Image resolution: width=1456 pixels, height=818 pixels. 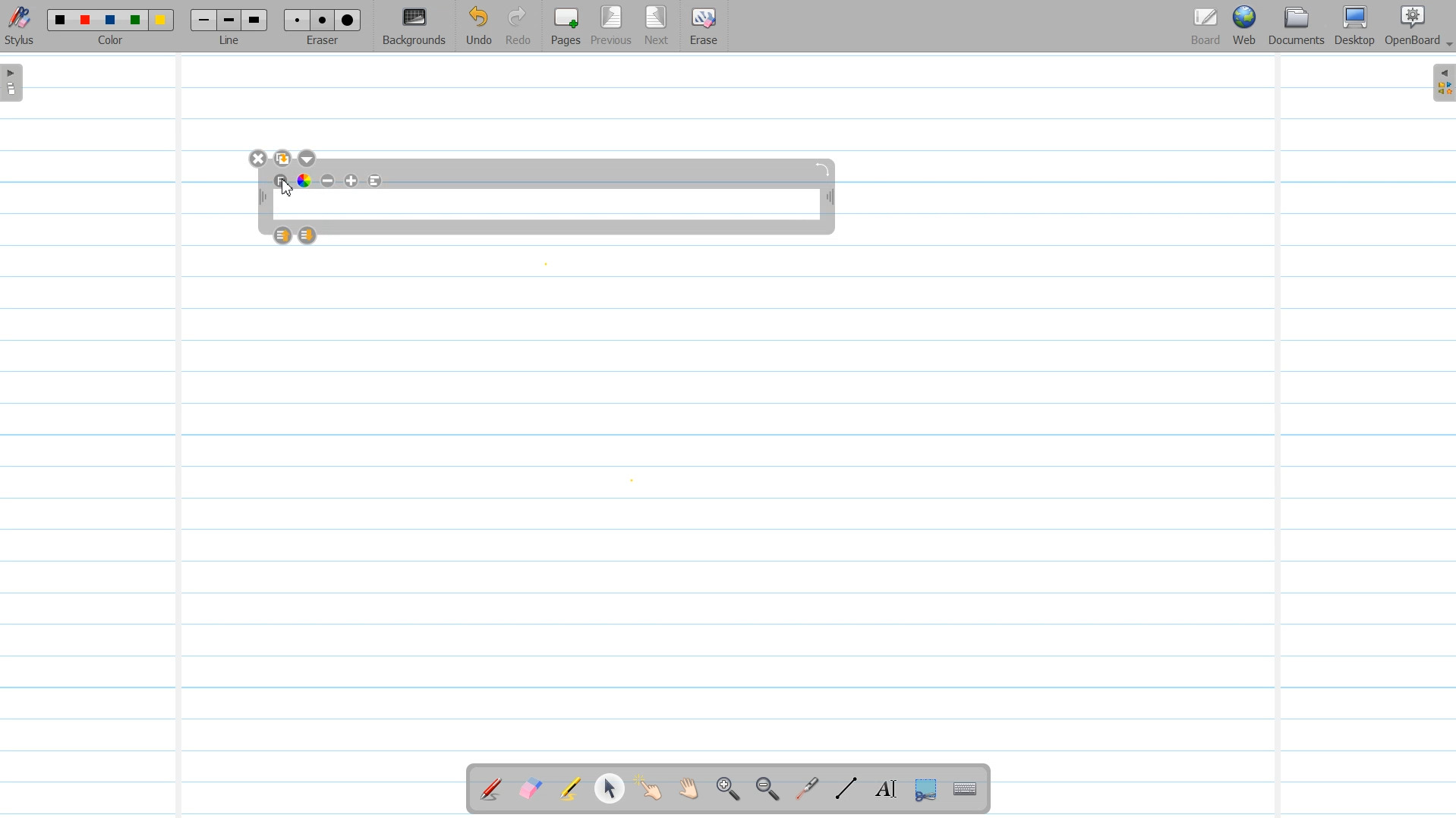 I want to click on Duplicate text , so click(x=284, y=159).